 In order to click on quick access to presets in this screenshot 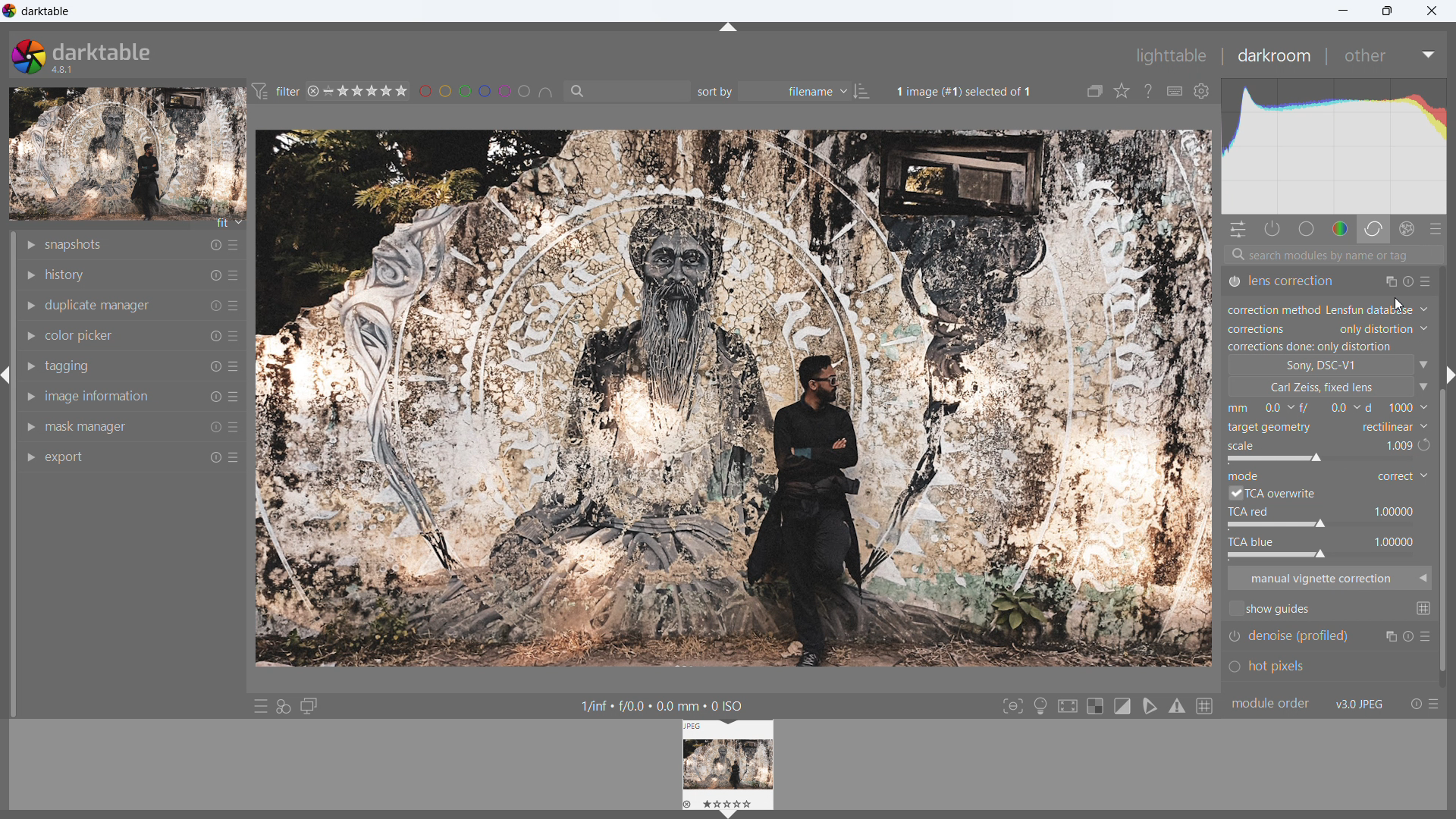, I will do `click(260, 706)`.